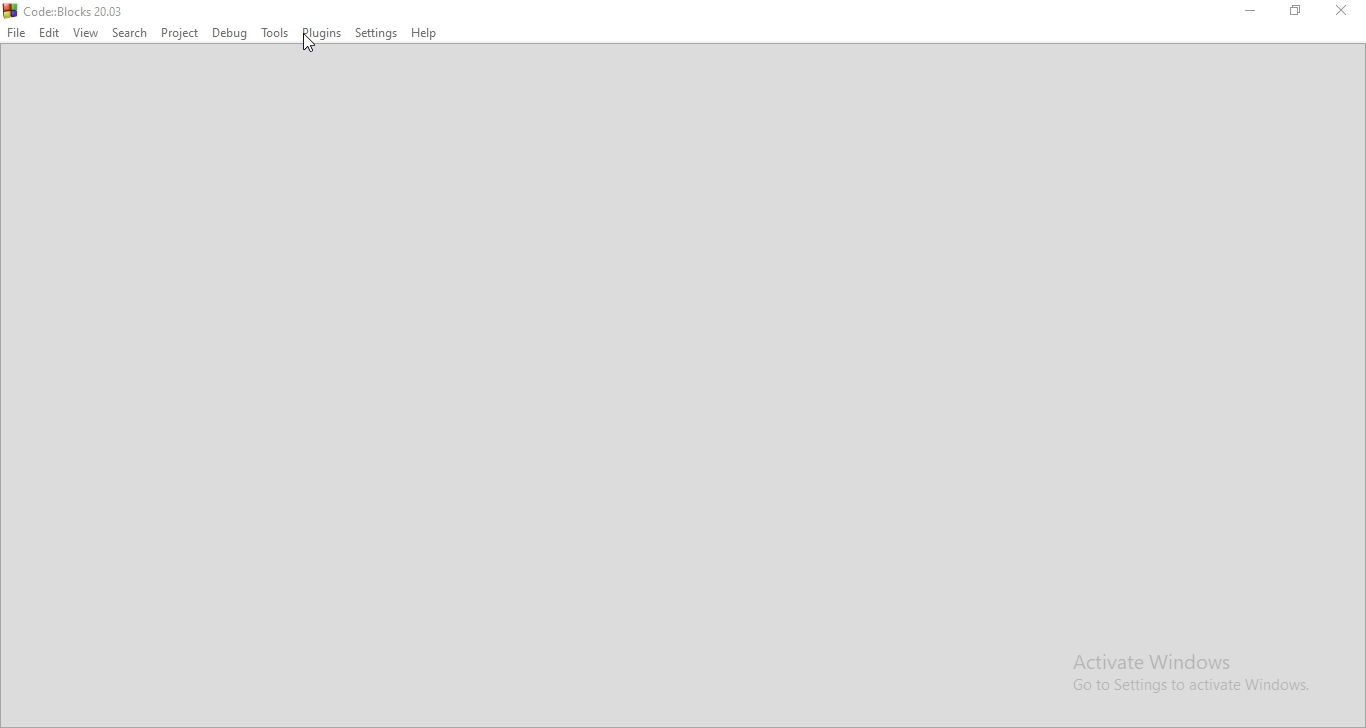 The height and width of the screenshot is (728, 1366). Describe the element at coordinates (1338, 9) in the screenshot. I see `close` at that location.